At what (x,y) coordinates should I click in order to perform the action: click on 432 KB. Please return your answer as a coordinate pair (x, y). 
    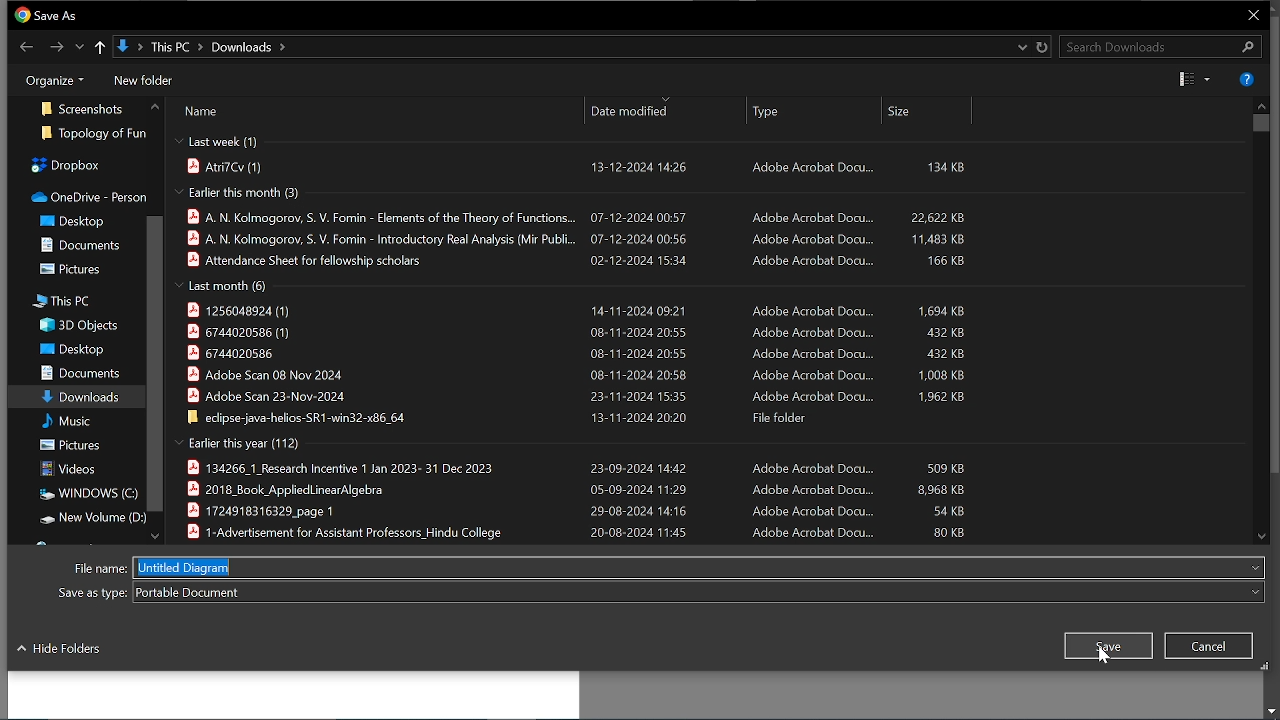
    Looking at the image, I should click on (944, 354).